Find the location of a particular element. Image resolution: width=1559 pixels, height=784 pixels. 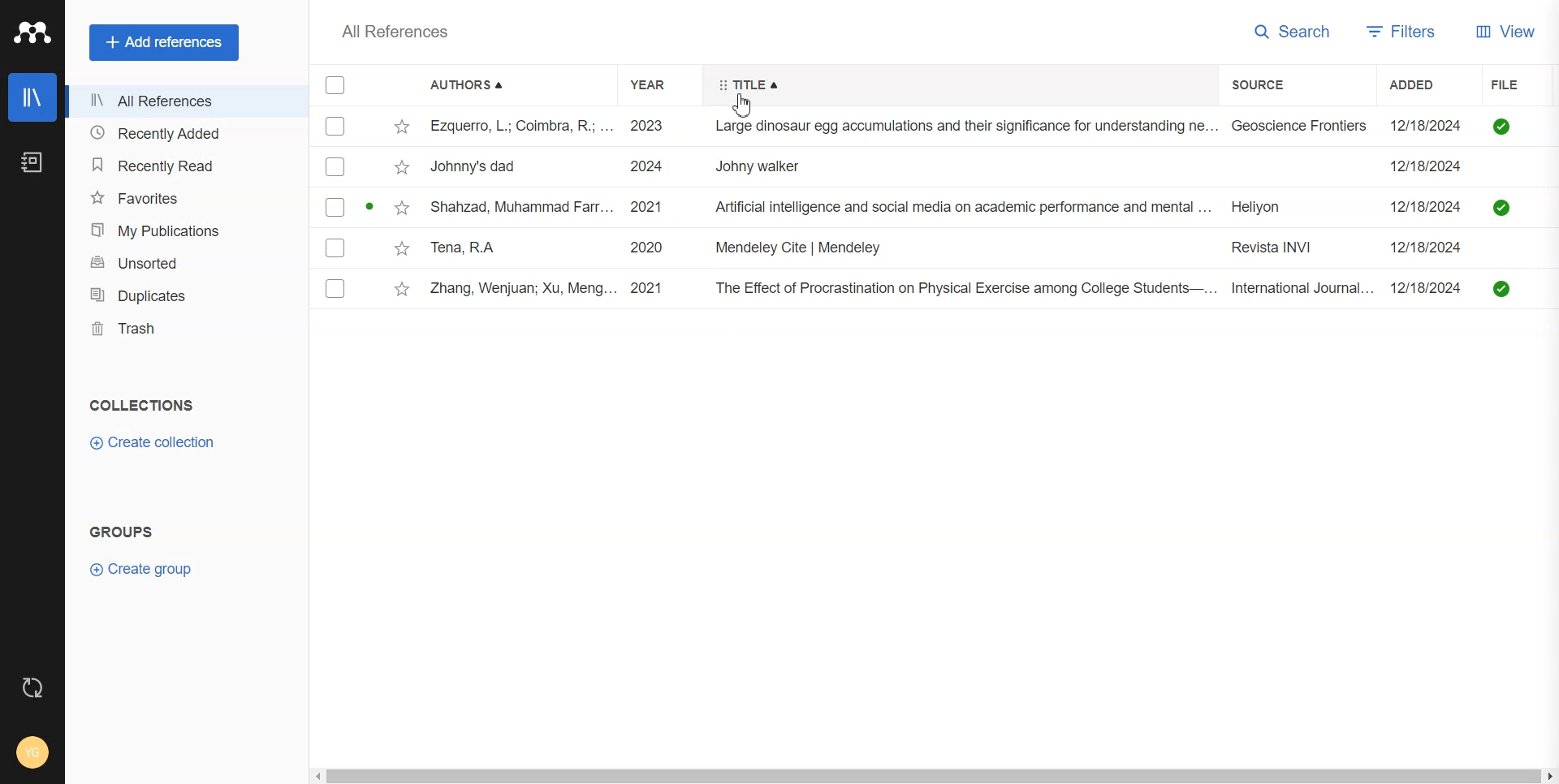

Create Group is located at coordinates (140, 568).